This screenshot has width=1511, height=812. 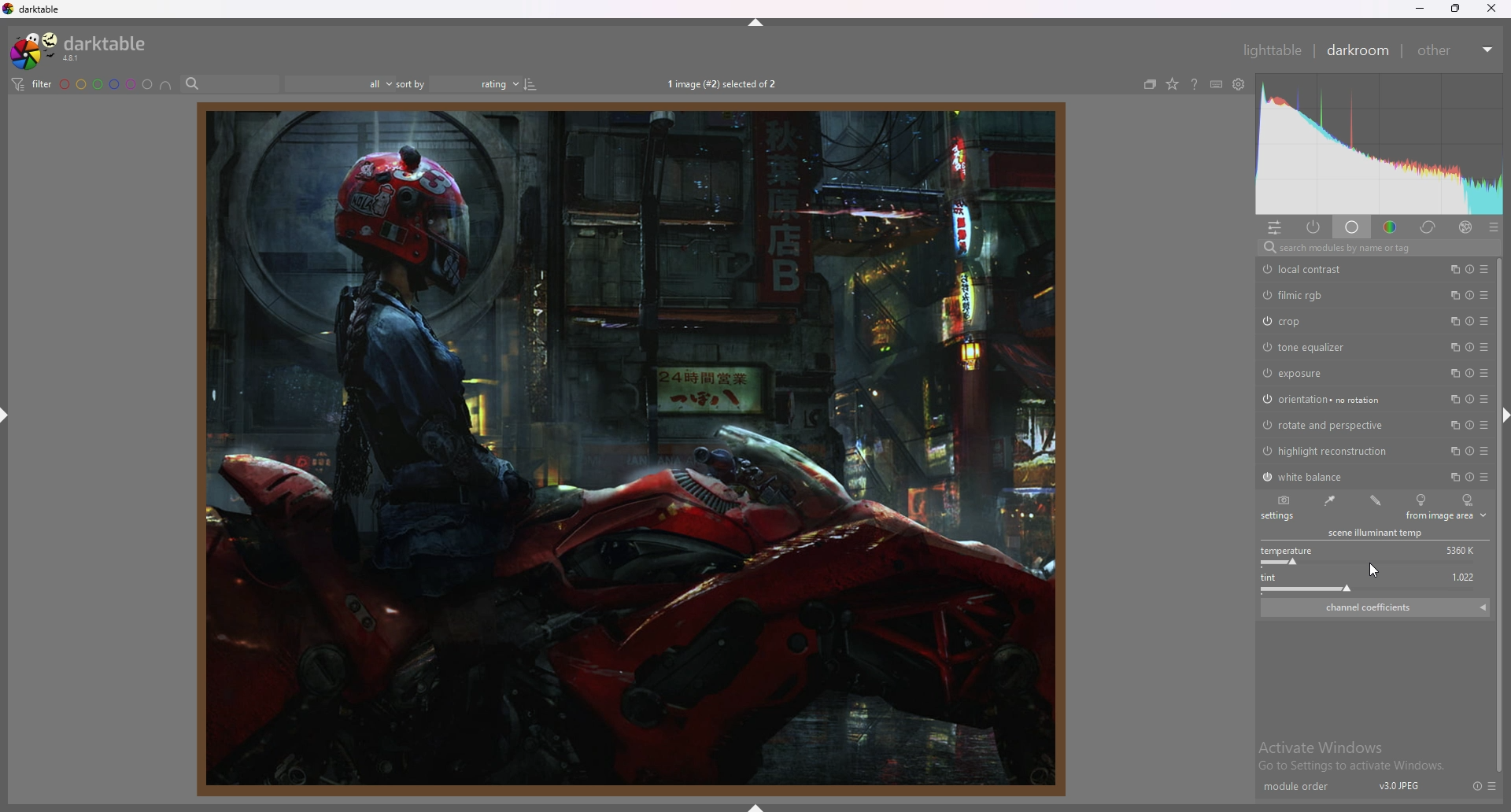 What do you see at coordinates (1379, 146) in the screenshot?
I see `heat map` at bounding box center [1379, 146].